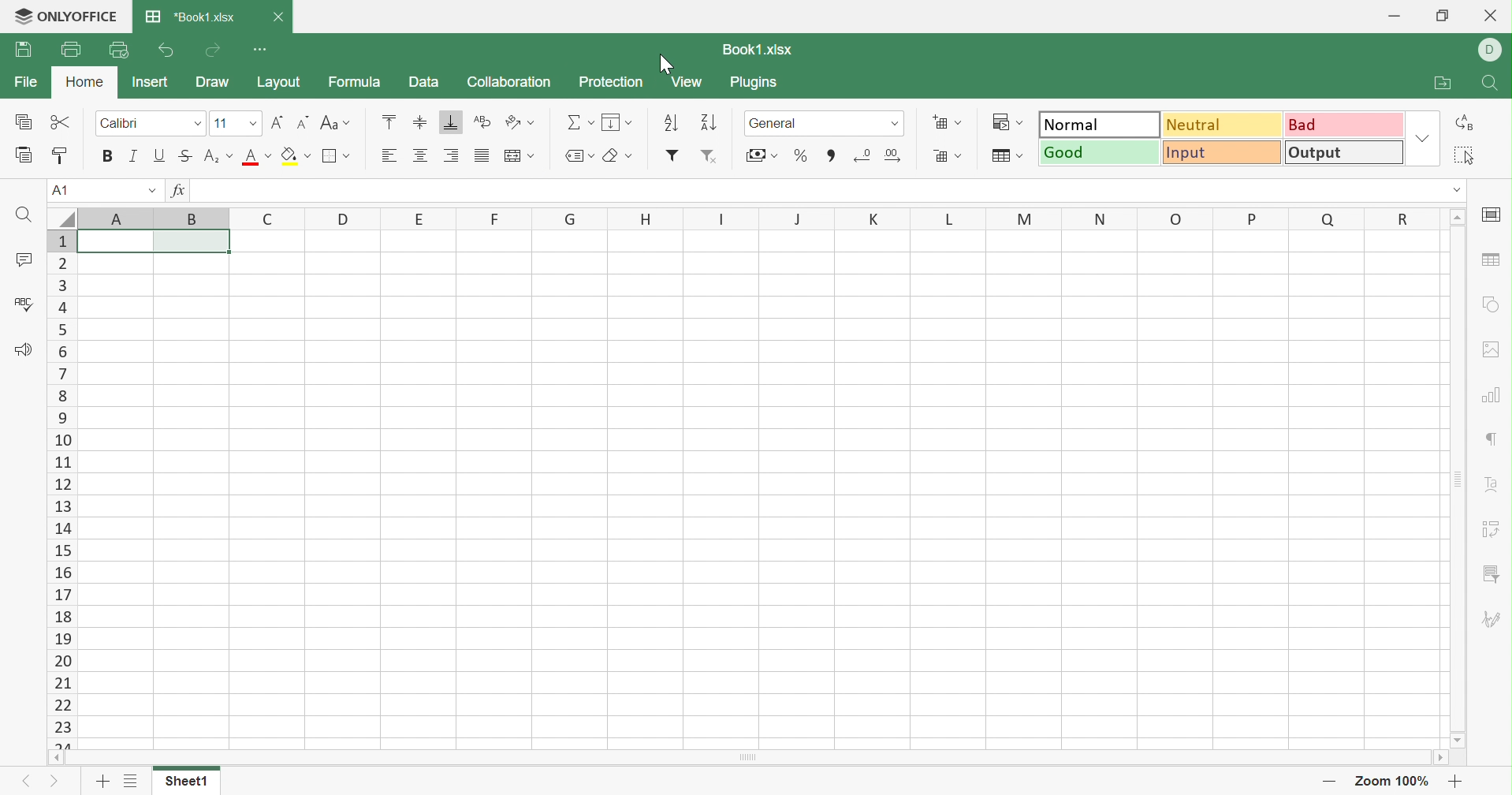 The image size is (1512, 795). I want to click on Text Art settings, so click(1495, 487).